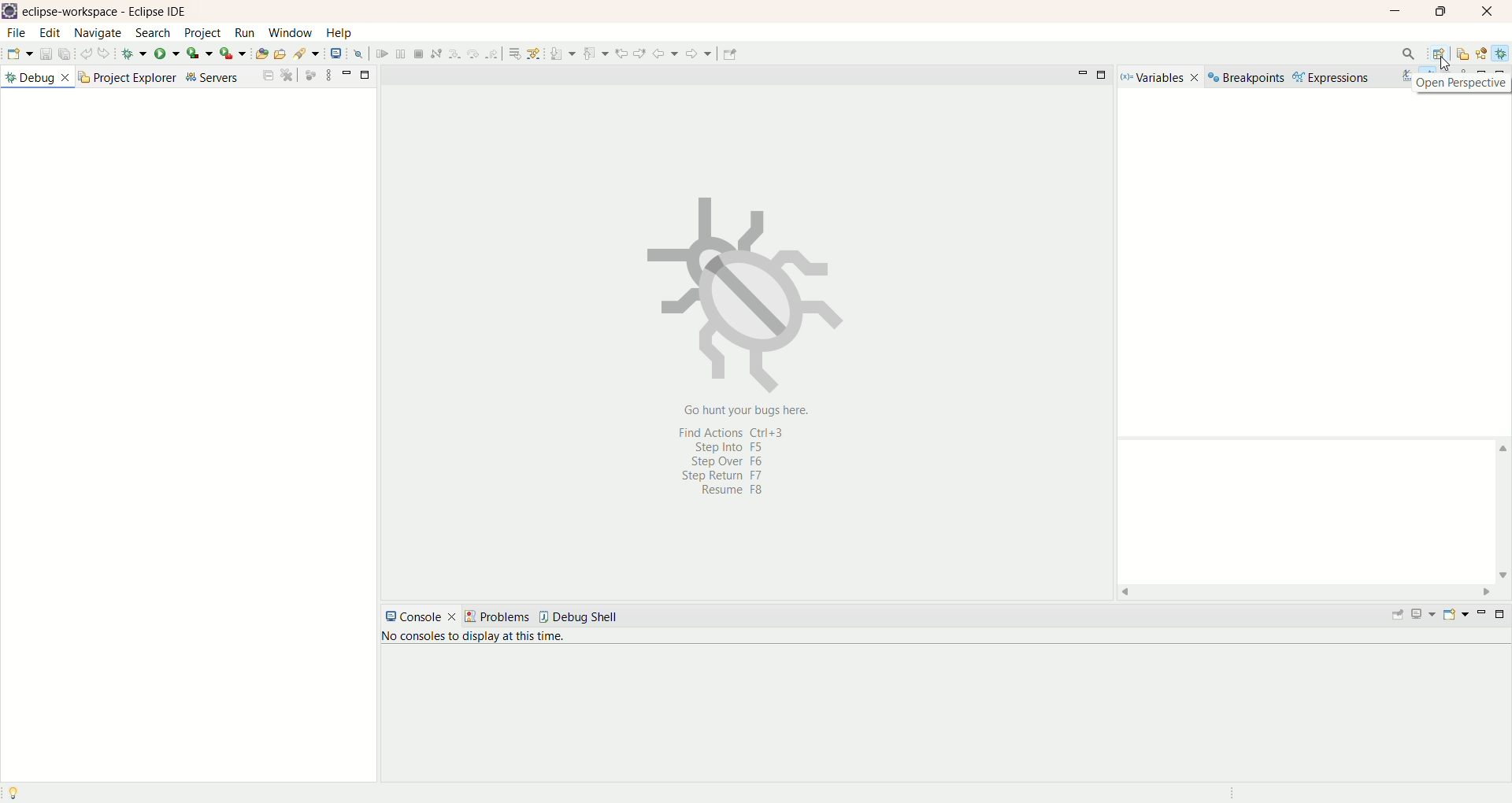  Describe the element at coordinates (1484, 52) in the screenshot. I see `java EE` at that location.